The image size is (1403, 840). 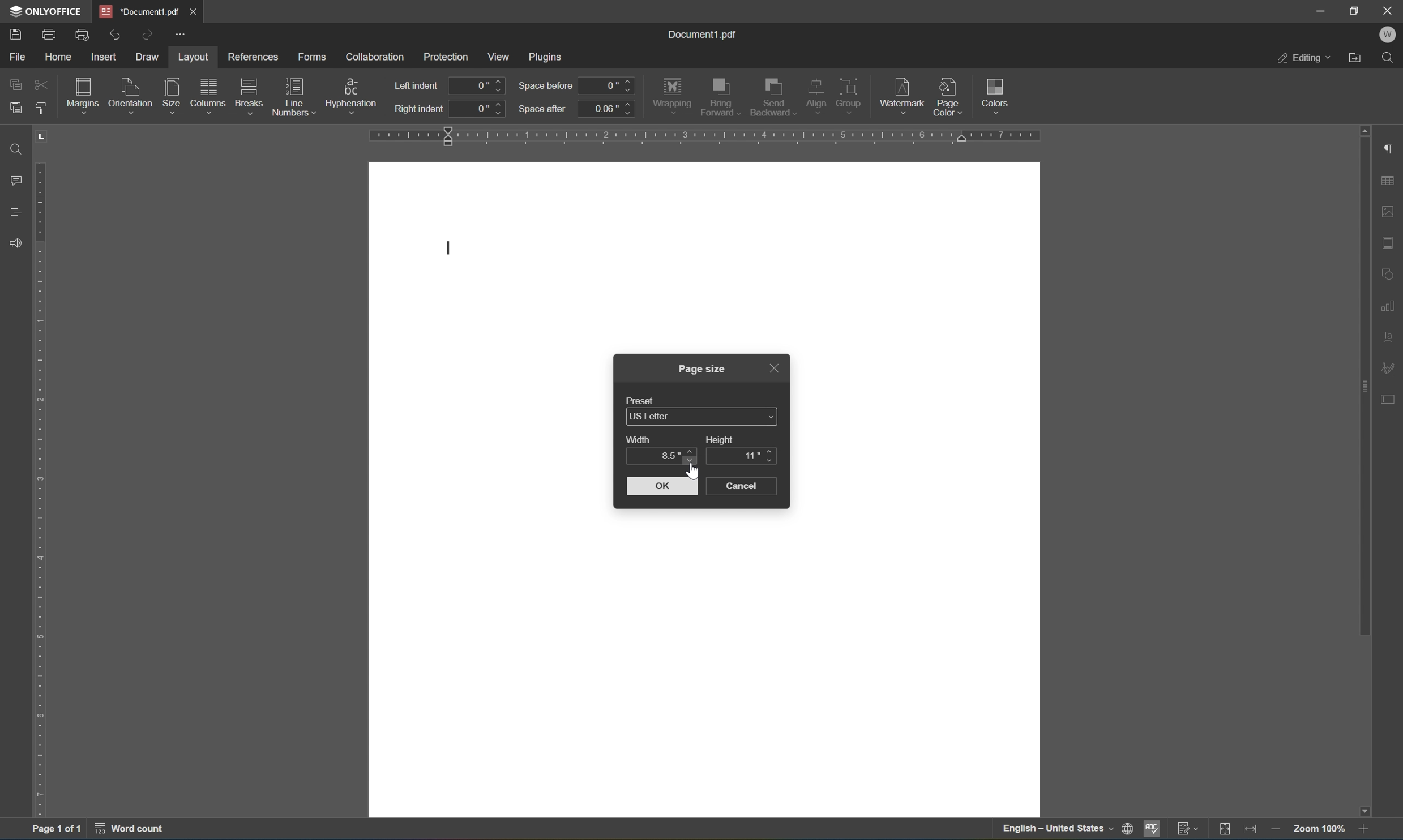 I want to click on cancel, so click(x=748, y=487).